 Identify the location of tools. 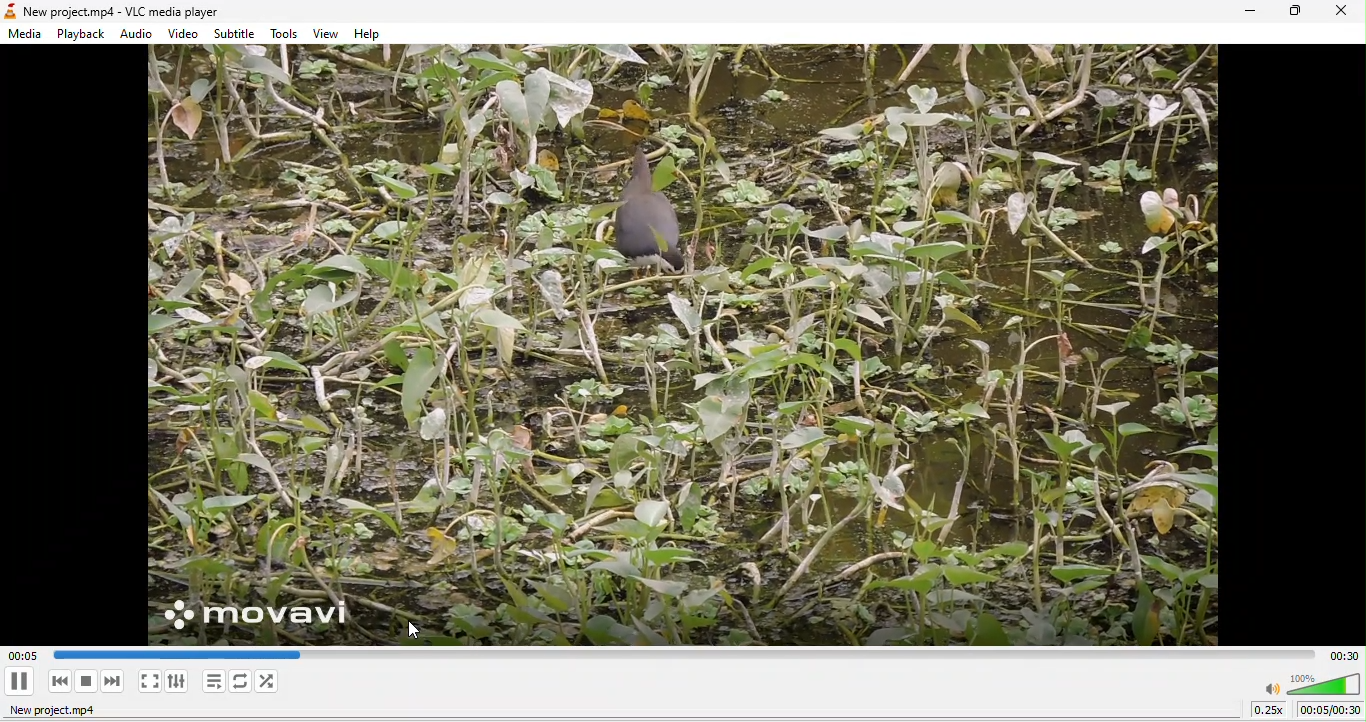
(286, 35).